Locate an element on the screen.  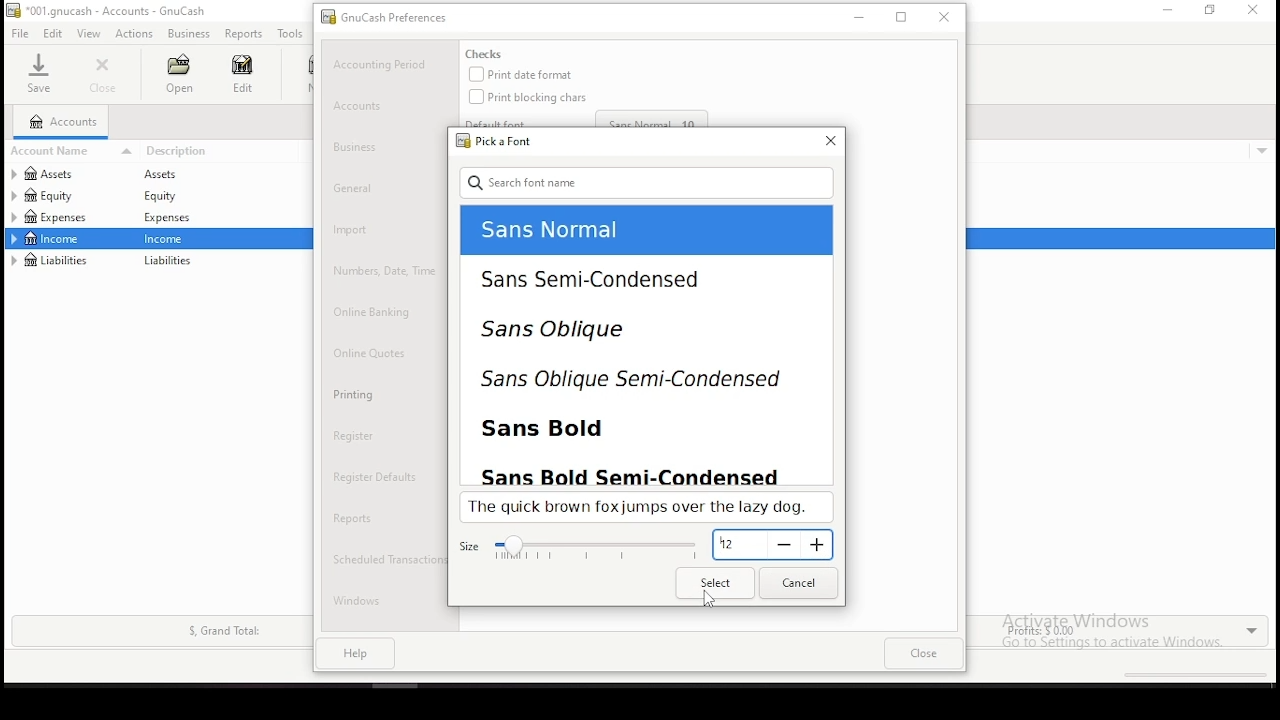
descrtiption is located at coordinates (224, 151).